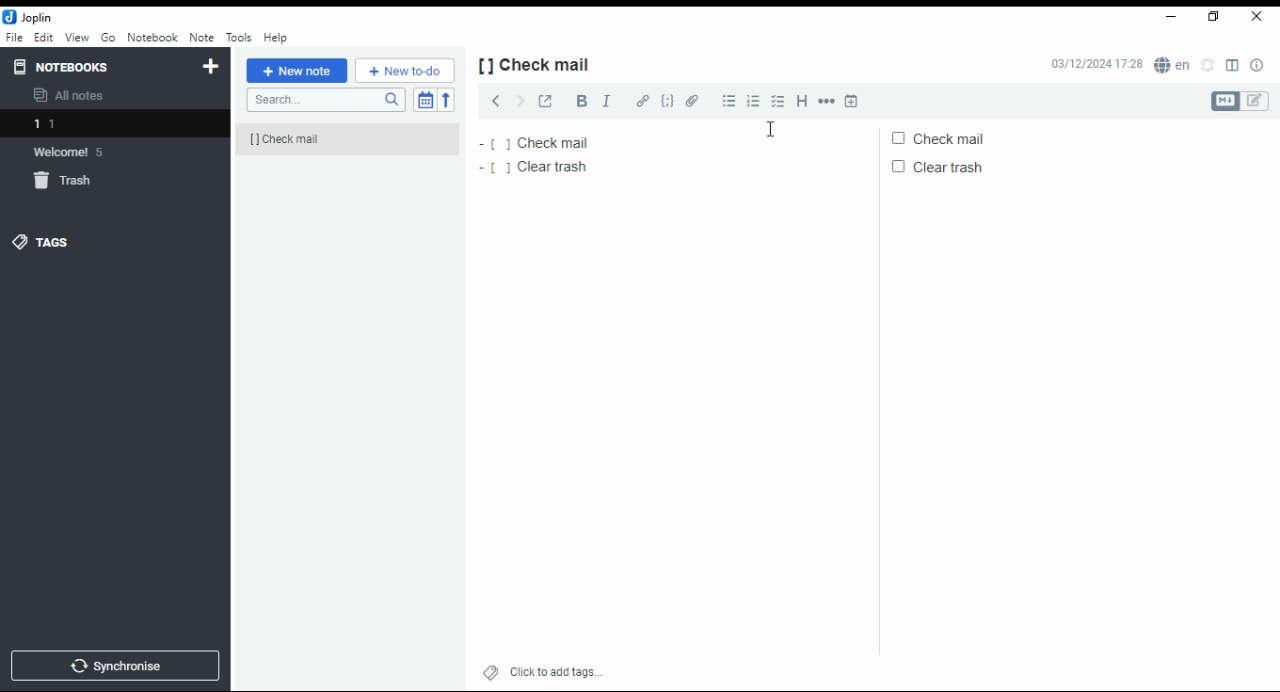 This screenshot has height=692, width=1280. Describe the element at coordinates (1239, 102) in the screenshot. I see `toggle editors` at that location.